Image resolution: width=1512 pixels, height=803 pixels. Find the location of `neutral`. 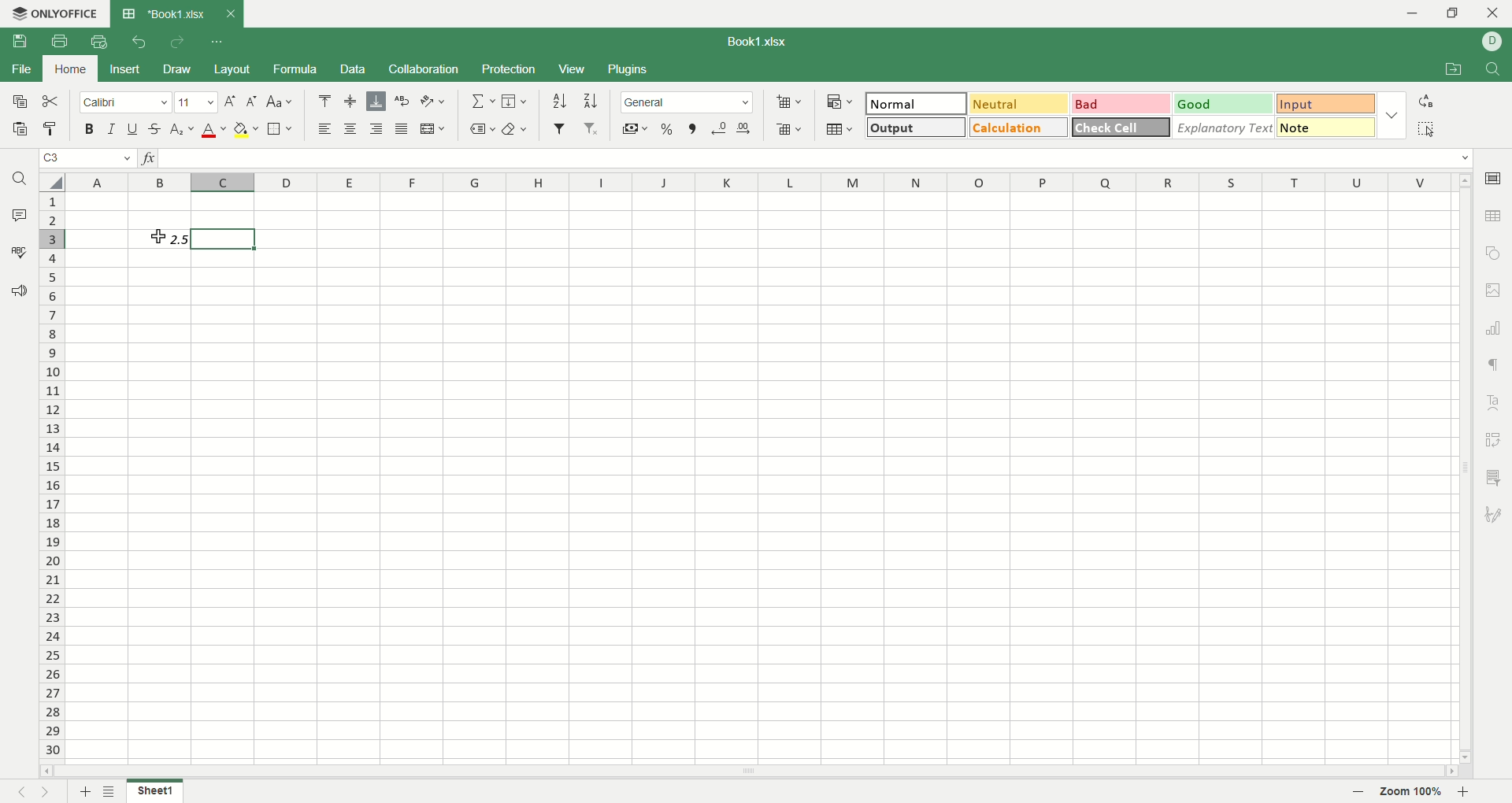

neutral is located at coordinates (1019, 104).